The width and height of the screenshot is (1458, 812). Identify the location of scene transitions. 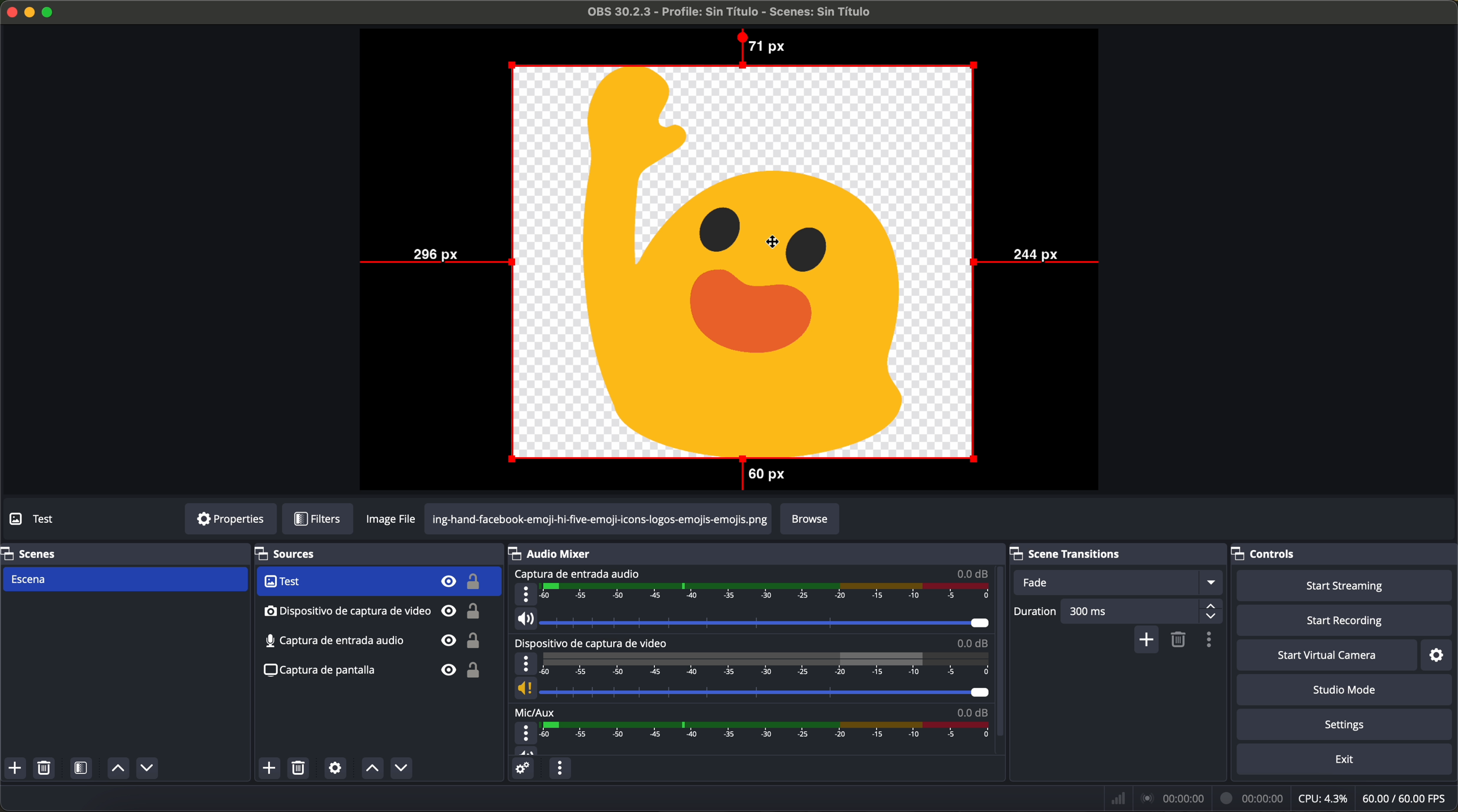
(1079, 552).